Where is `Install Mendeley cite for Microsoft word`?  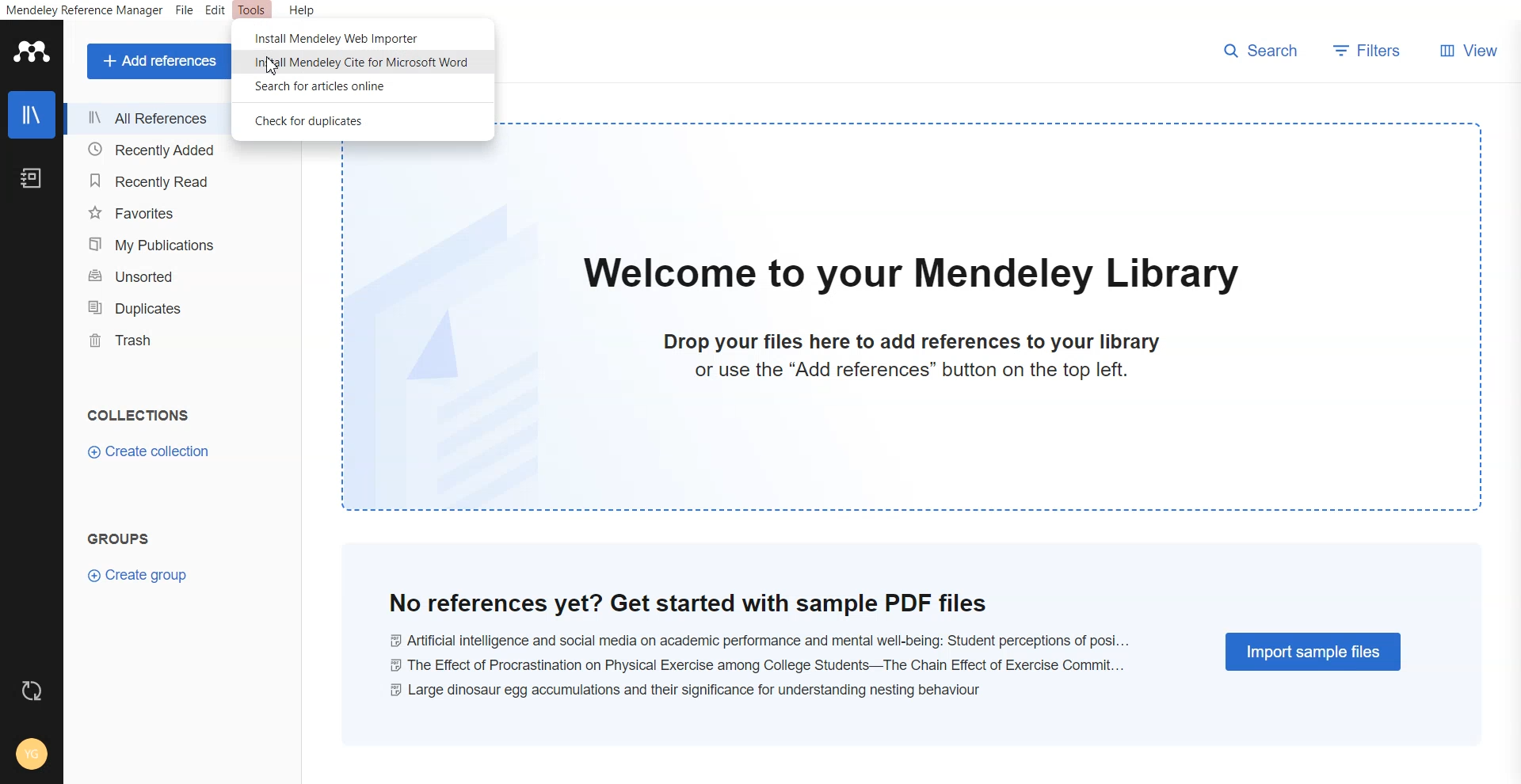 Install Mendeley cite for Microsoft word is located at coordinates (362, 62).